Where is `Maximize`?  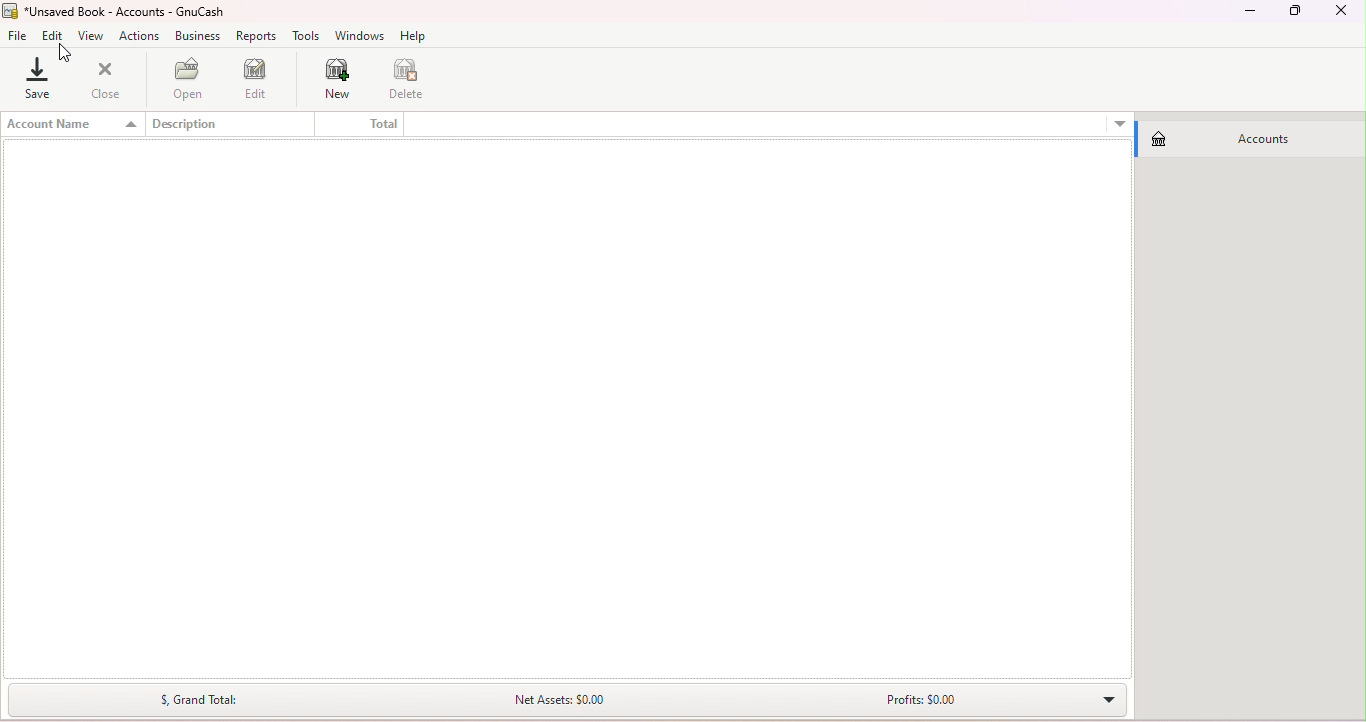 Maximize is located at coordinates (1302, 14).